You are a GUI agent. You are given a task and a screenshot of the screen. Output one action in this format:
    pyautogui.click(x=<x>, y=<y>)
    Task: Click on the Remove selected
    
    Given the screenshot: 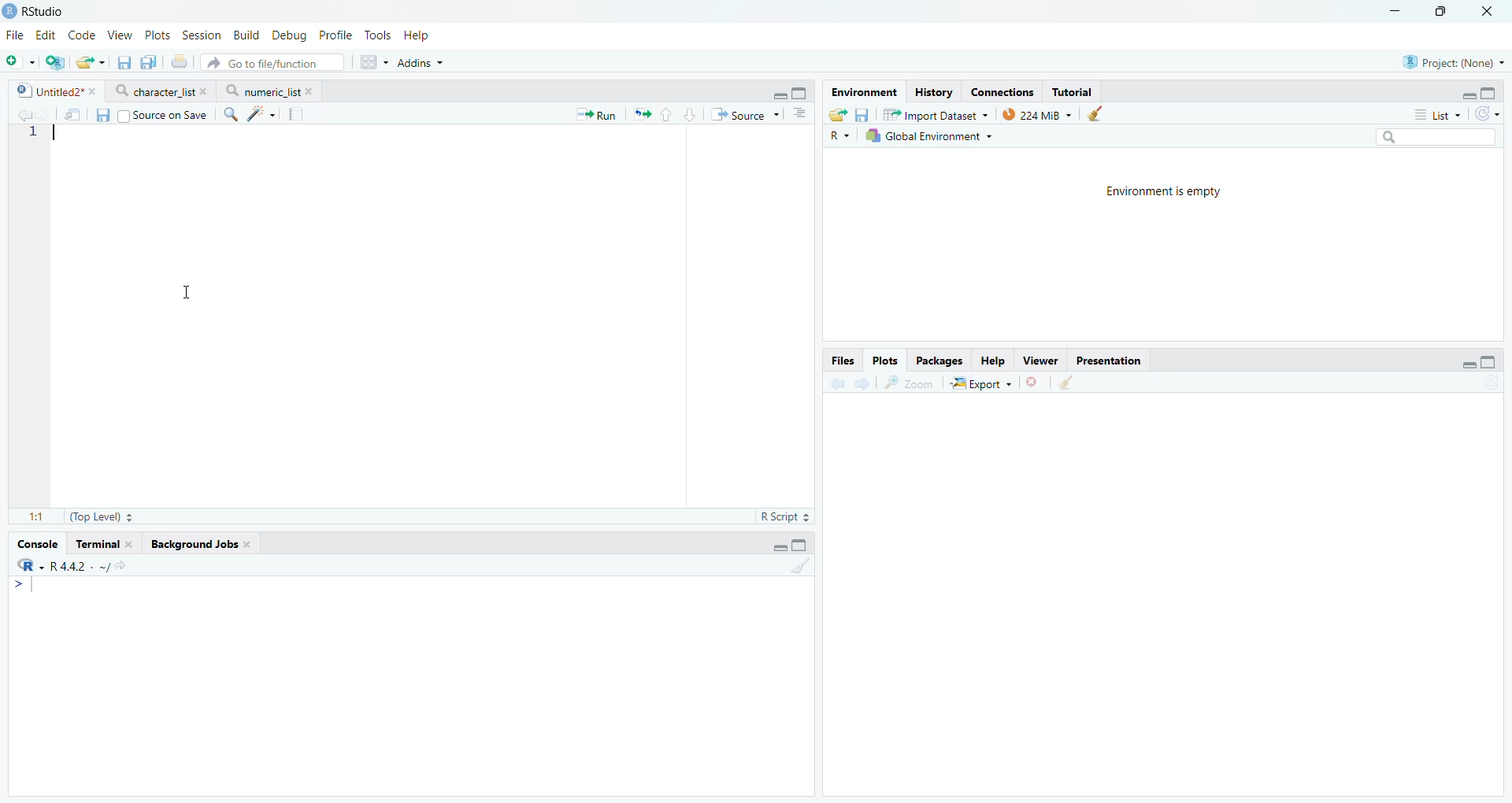 What is the action you would take?
    pyautogui.click(x=1034, y=383)
    